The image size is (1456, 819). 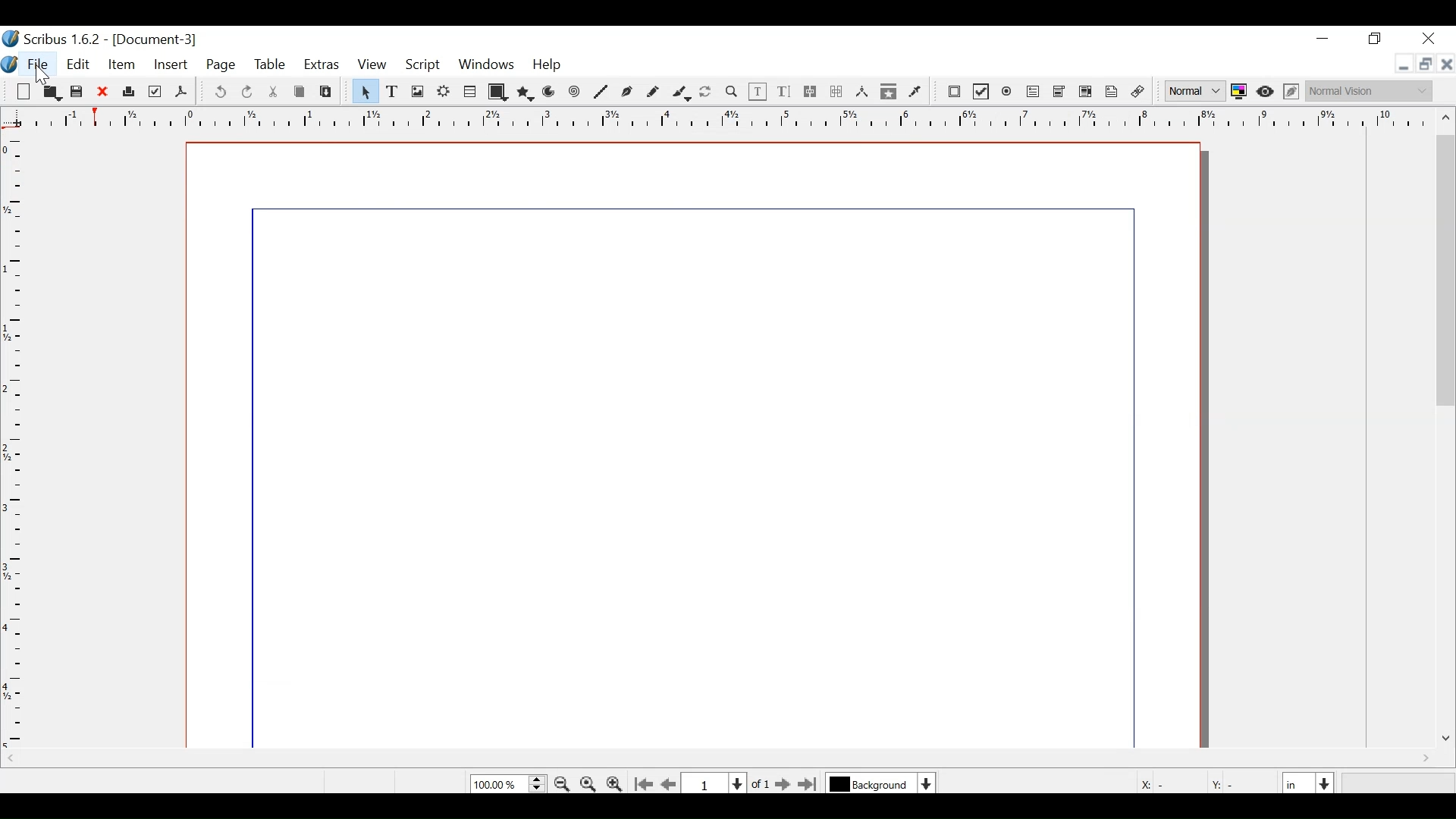 What do you see at coordinates (508, 784) in the screenshot?
I see `Zoom` at bounding box center [508, 784].